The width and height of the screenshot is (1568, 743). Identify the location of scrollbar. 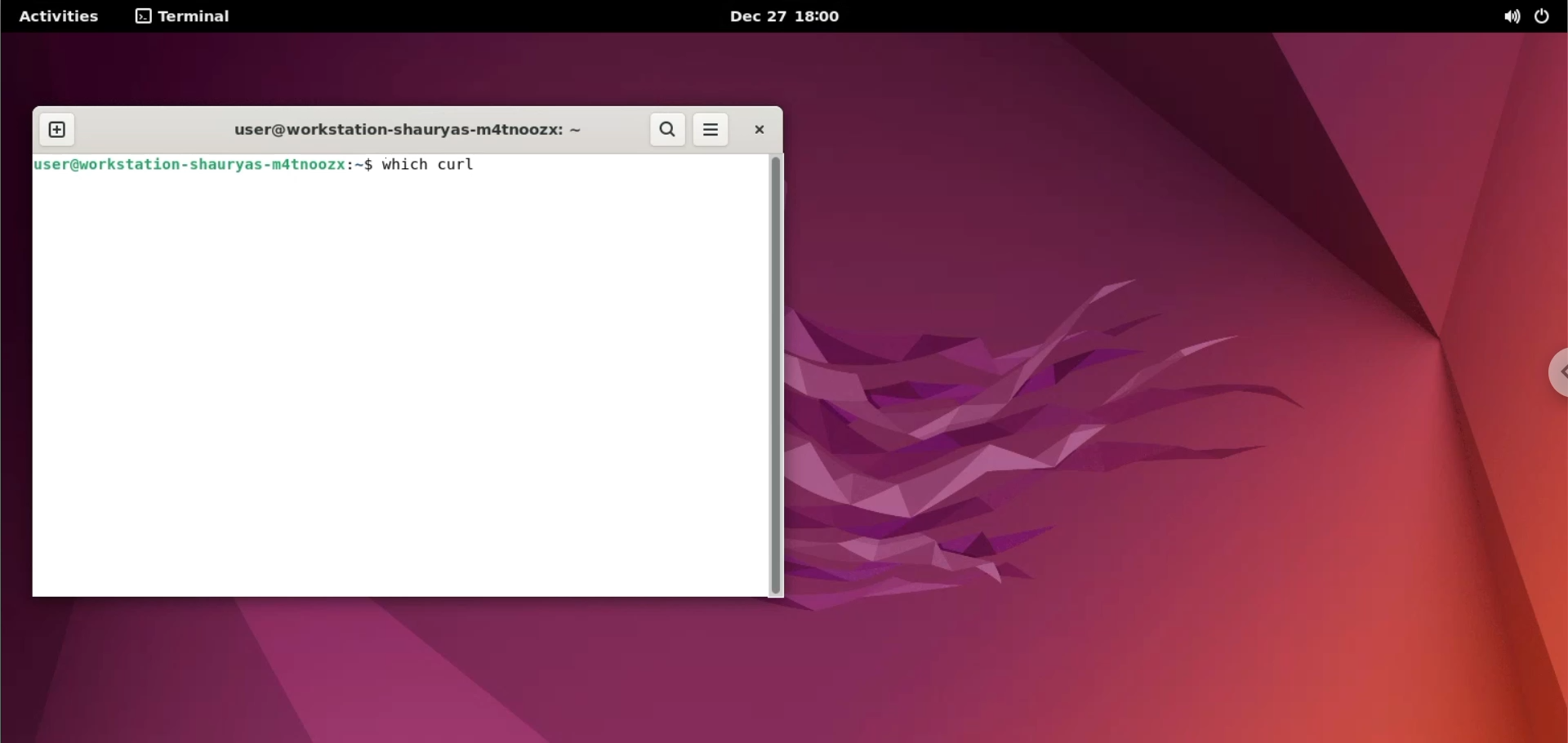
(776, 372).